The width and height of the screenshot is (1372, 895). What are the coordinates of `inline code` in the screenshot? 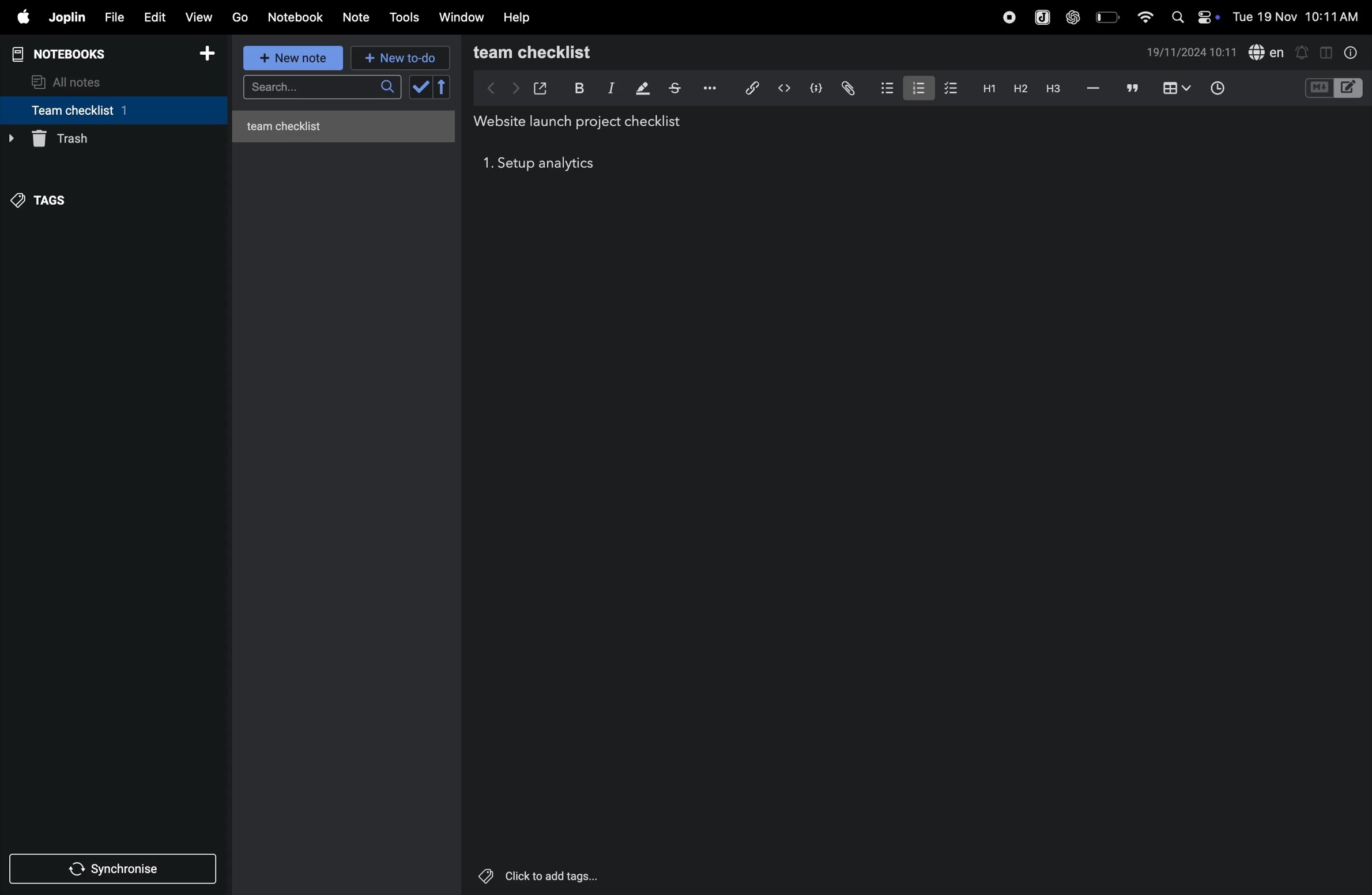 It's located at (784, 88).